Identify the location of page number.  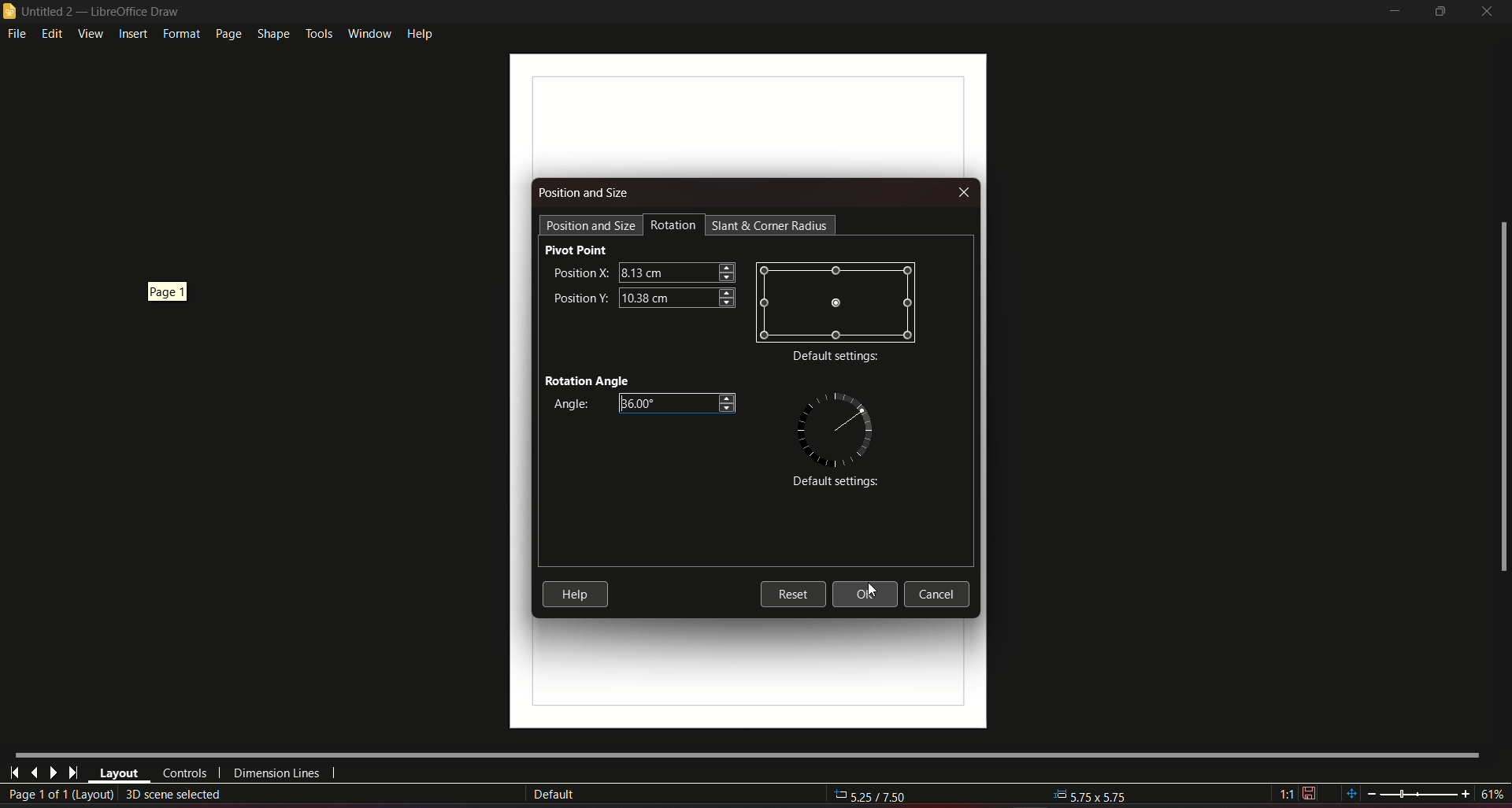
(60, 795).